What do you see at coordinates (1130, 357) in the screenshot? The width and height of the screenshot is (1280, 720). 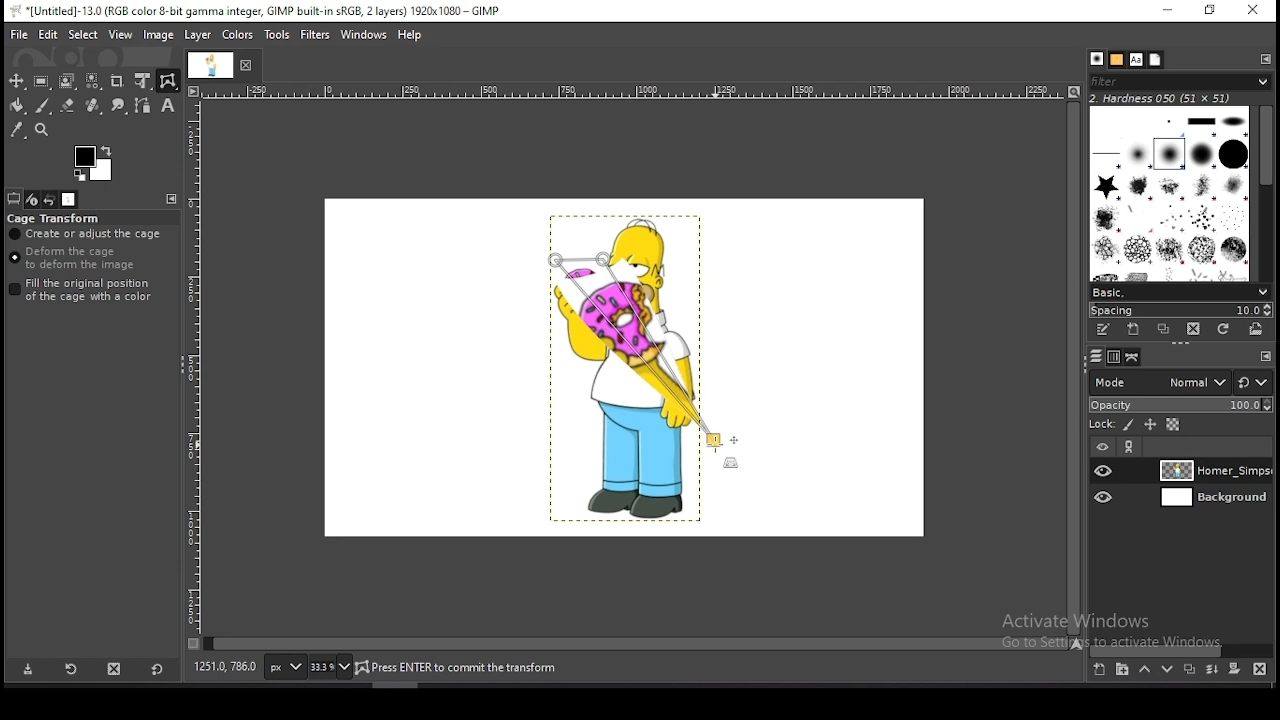 I see `paths` at bounding box center [1130, 357].